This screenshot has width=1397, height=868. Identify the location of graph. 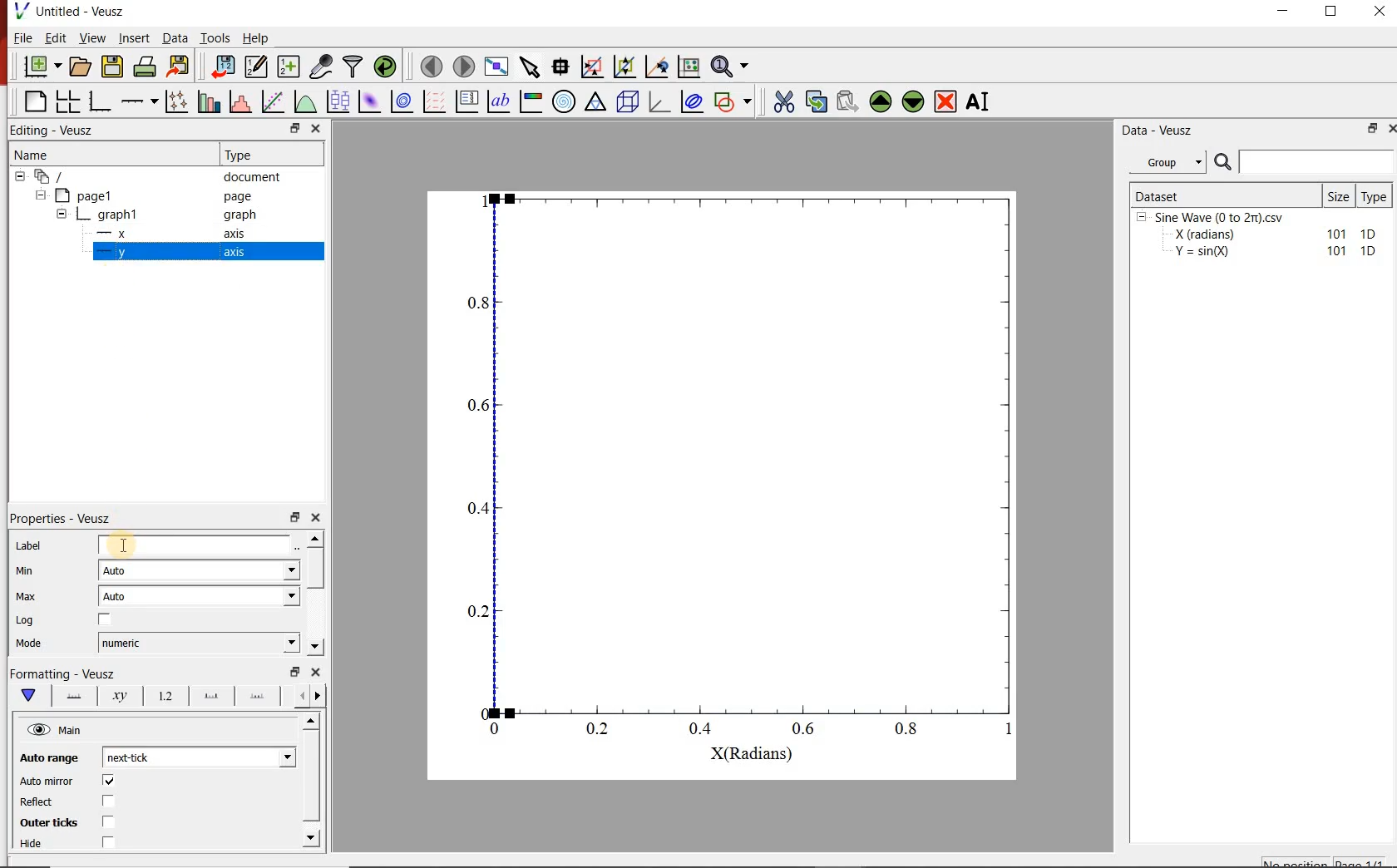
(238, 214).